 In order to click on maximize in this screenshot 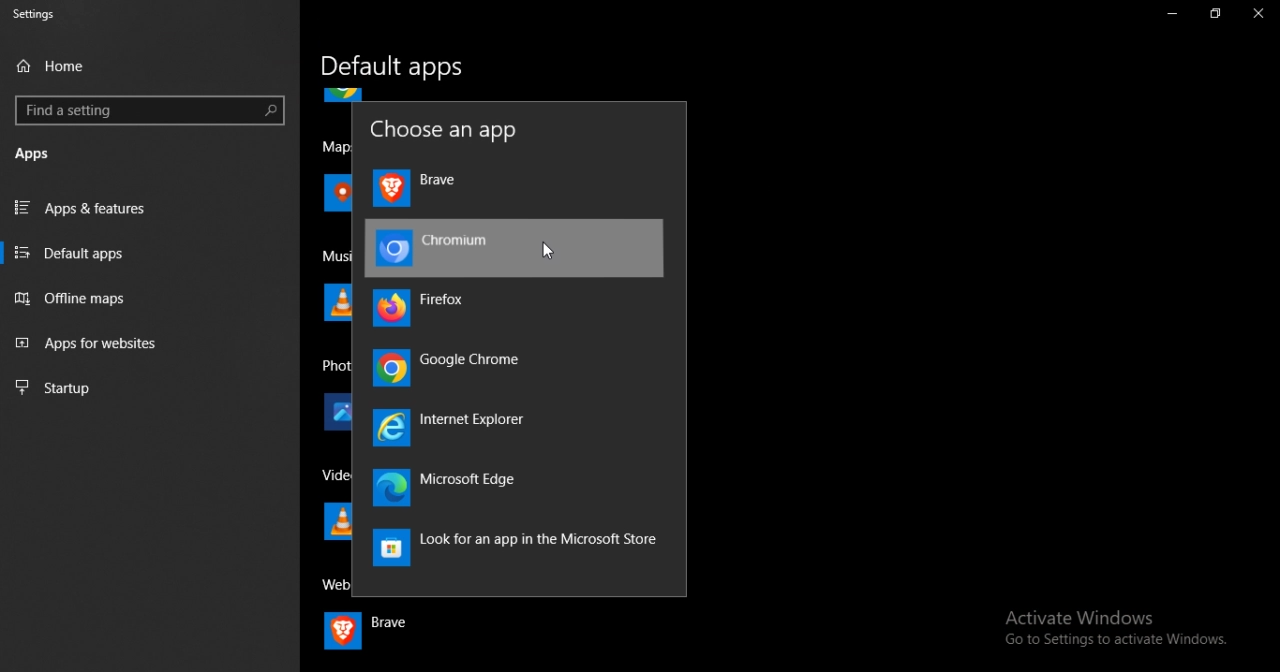, I will do `click(1214, 15)`.